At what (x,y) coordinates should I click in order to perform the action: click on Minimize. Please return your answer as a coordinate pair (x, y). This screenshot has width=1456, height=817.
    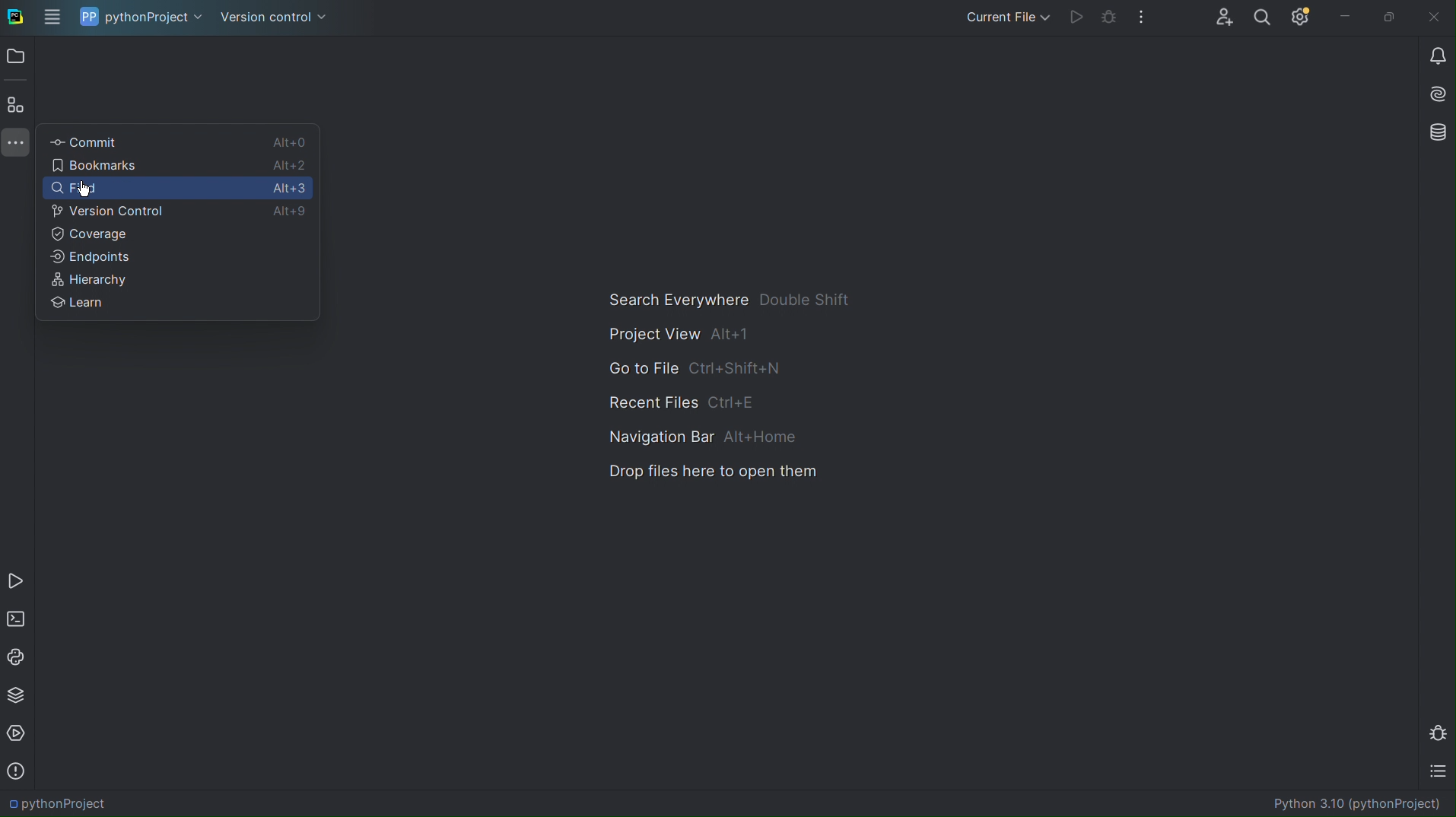
    Looking at the image, I should click on (1346, 18).